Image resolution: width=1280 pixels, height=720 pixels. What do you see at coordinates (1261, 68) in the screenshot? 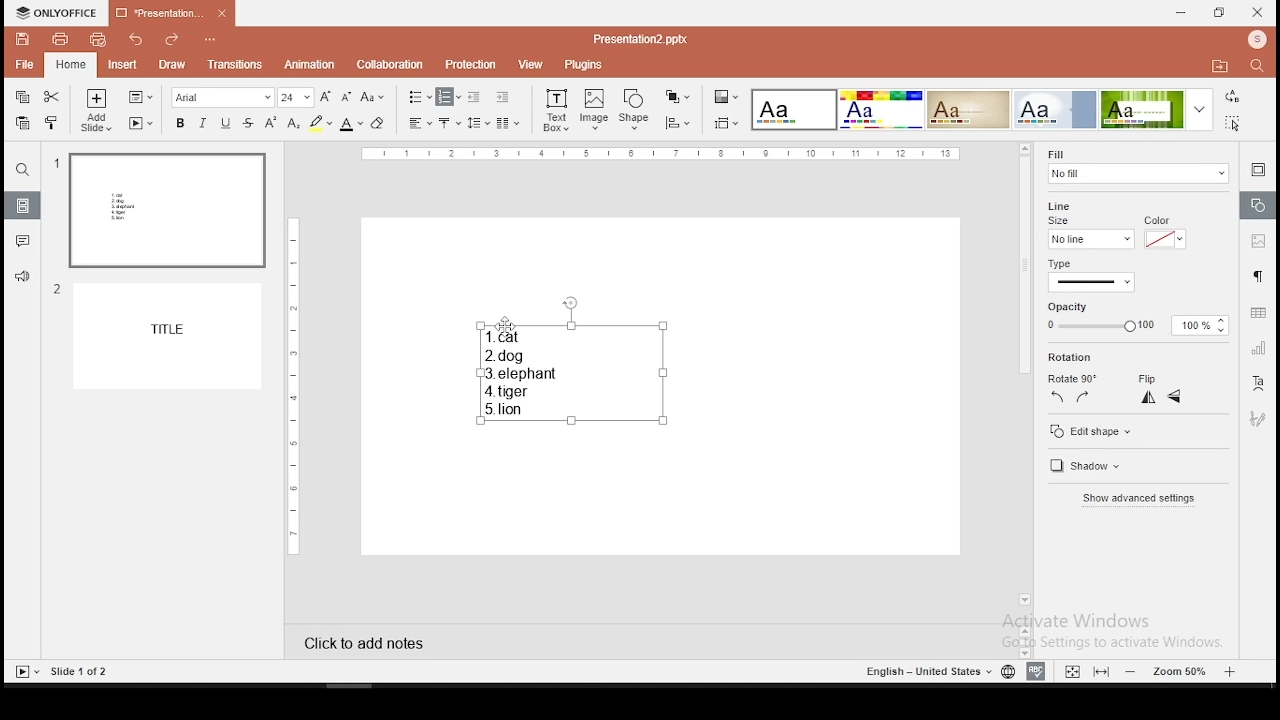
I see `search` at bounding box center [1261, 68].